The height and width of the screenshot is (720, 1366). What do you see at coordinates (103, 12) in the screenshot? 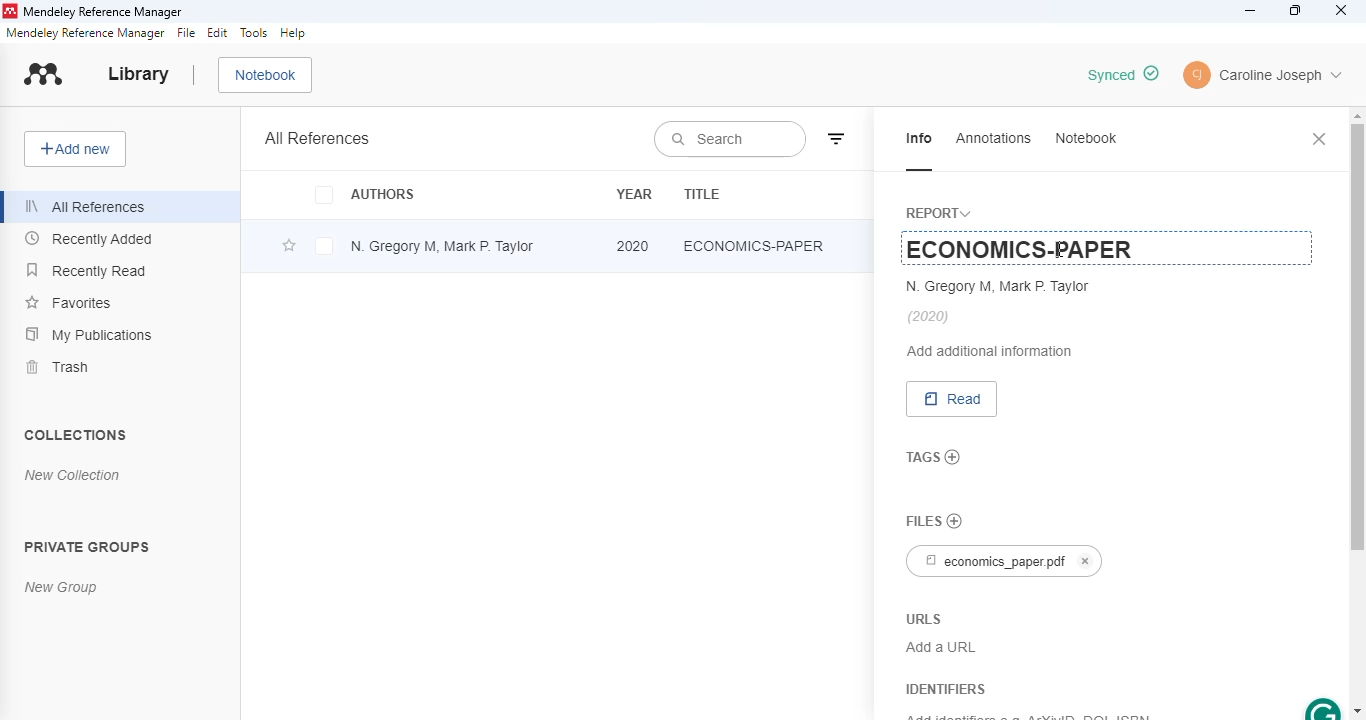
I see `mendeley reference manager` at bounding box center [103, 12].